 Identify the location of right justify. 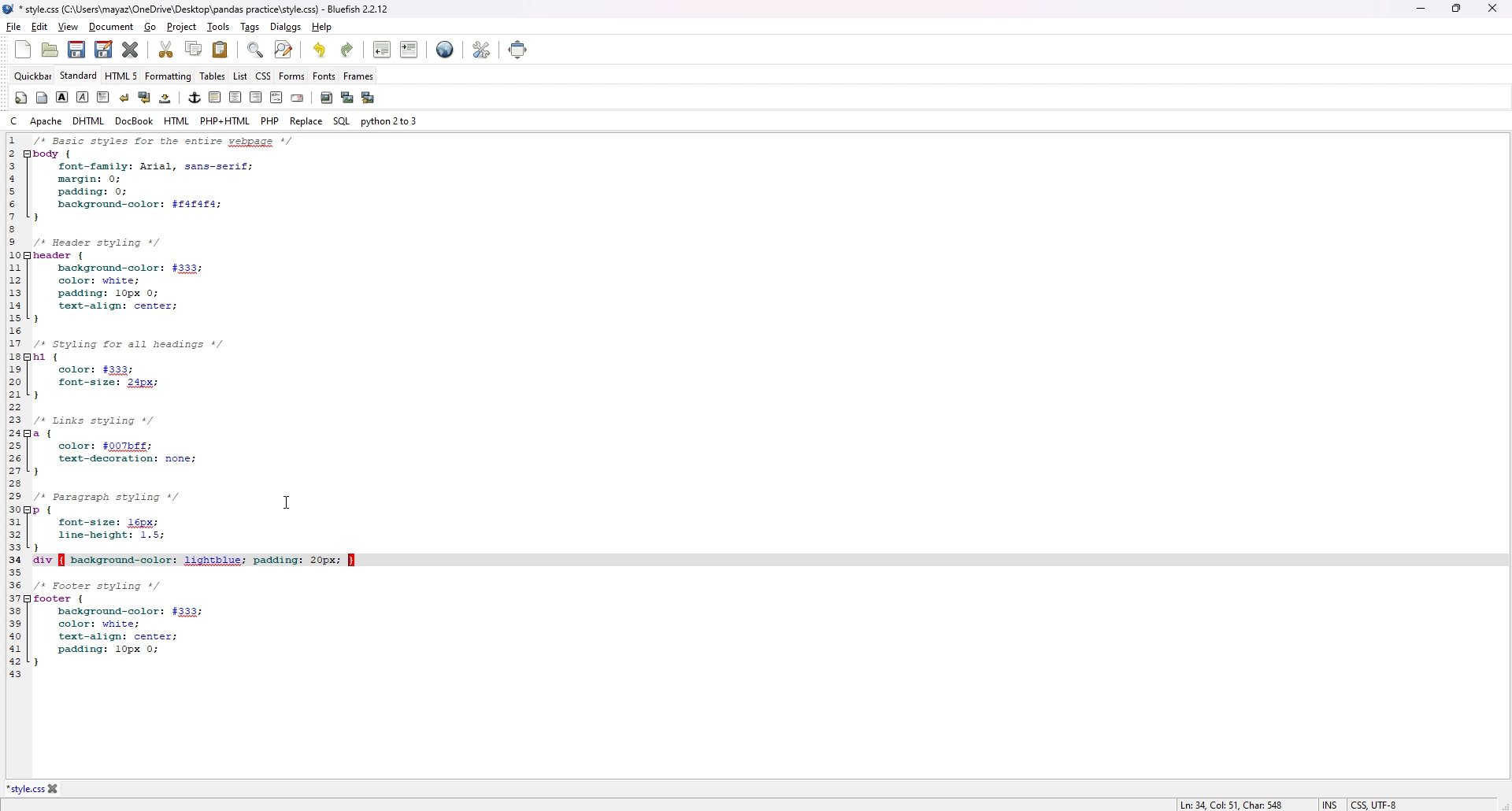
(256, 97).